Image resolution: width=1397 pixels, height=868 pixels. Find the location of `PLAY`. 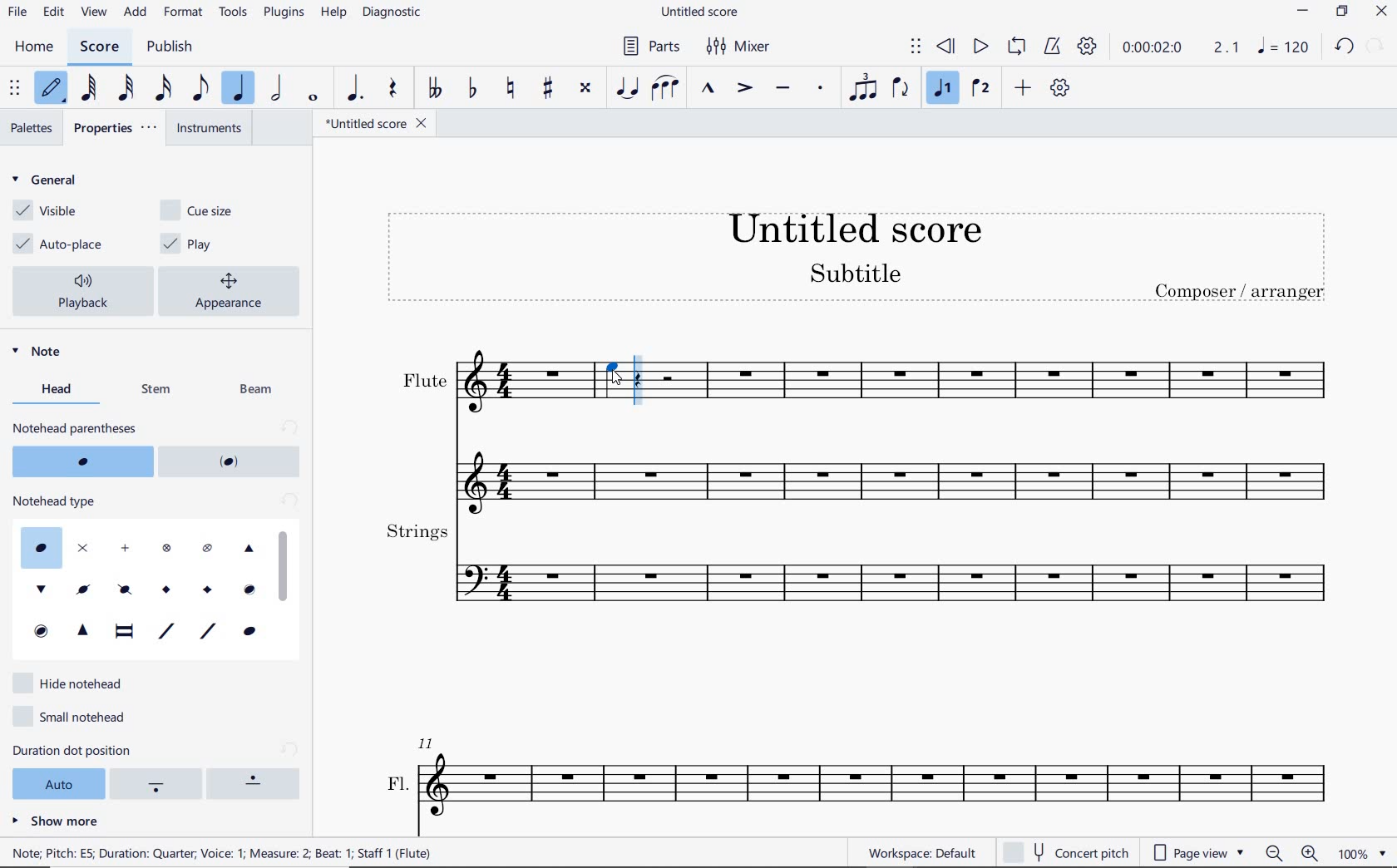

PLAY is located at coordinates (977, 47).